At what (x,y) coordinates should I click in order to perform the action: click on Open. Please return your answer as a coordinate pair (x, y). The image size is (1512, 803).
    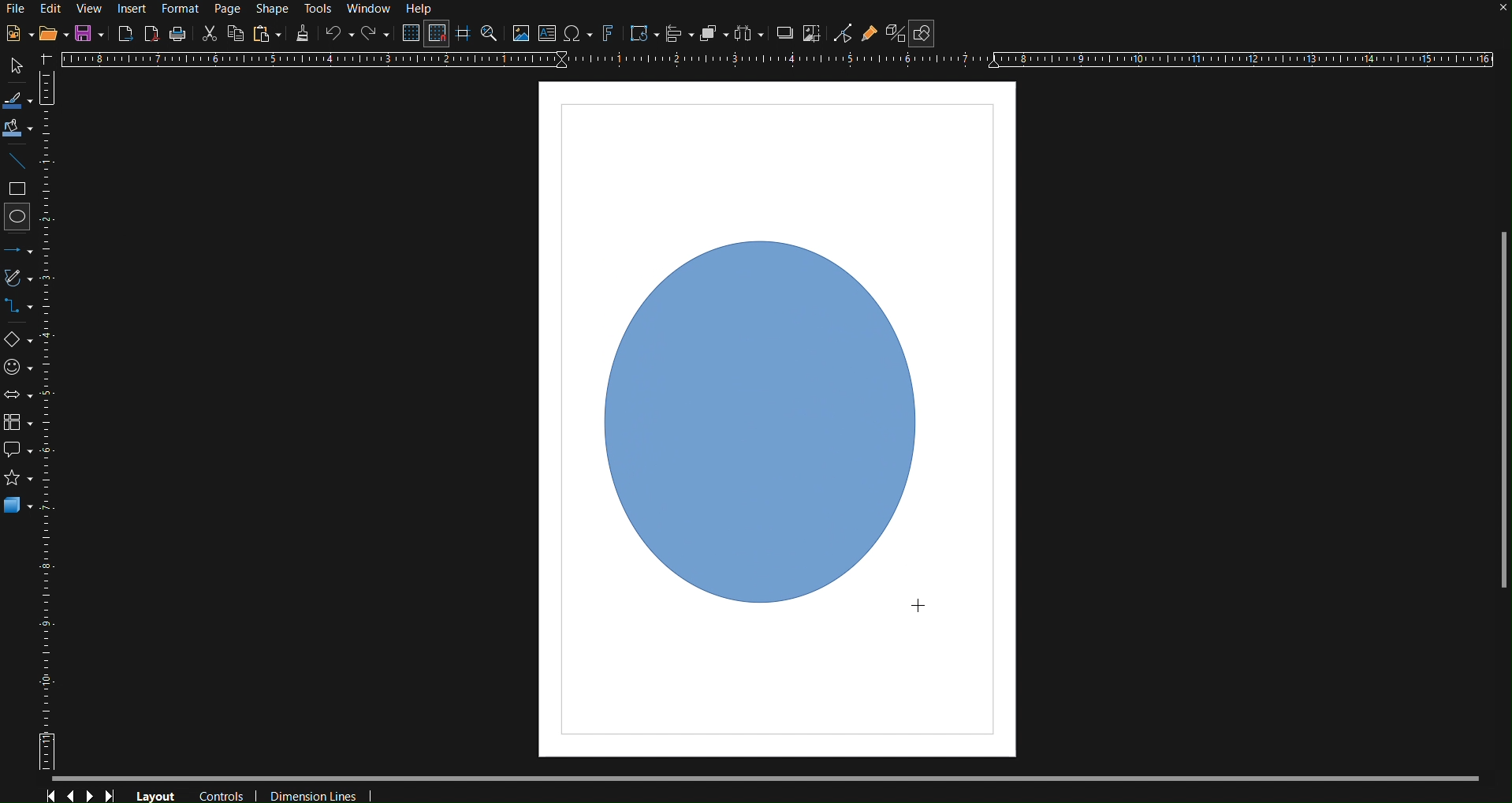
    Looking at the image, I should click on (54, 35).